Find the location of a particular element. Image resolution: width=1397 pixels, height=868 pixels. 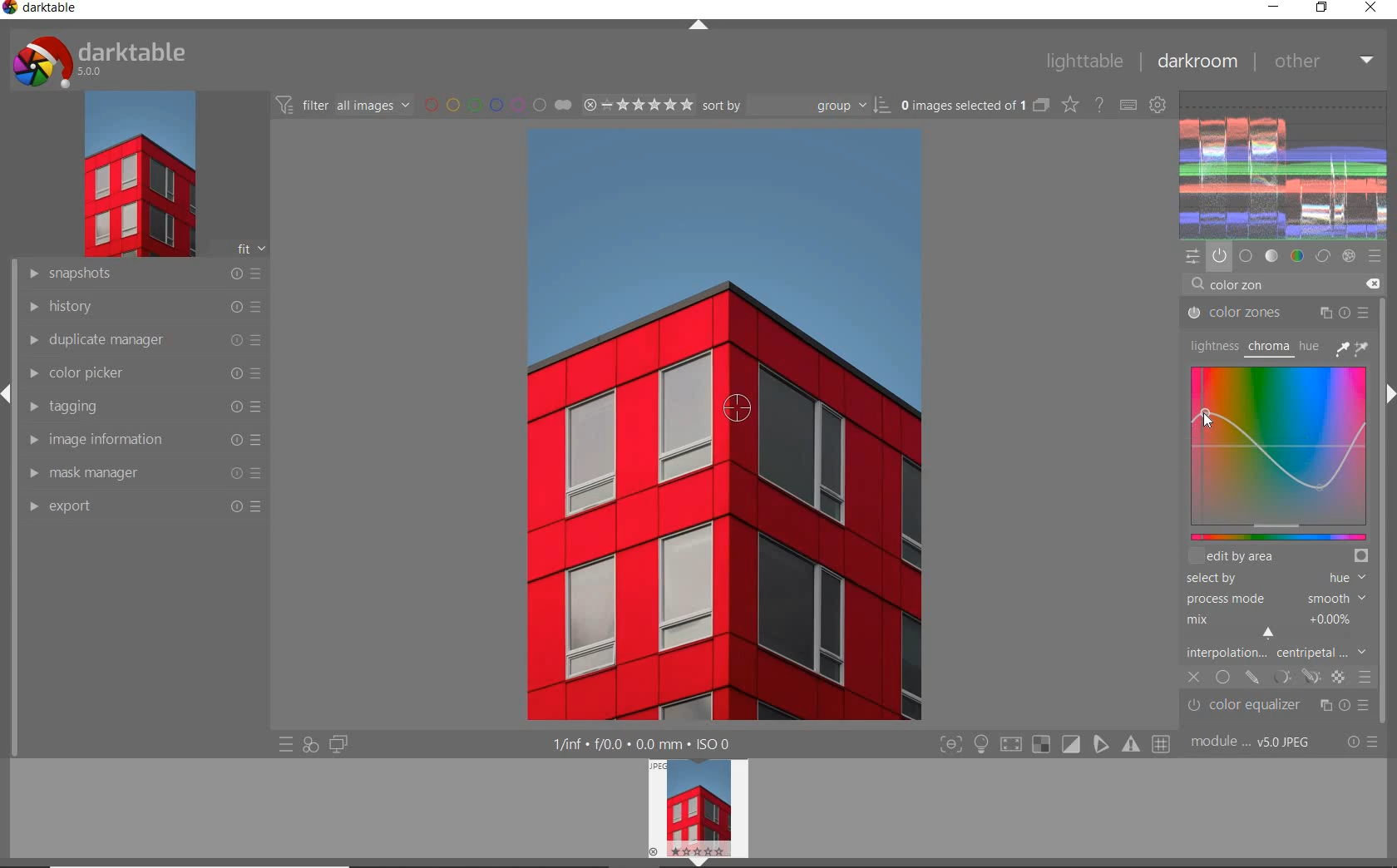

DELETE is located at coordinates (1372, 283).